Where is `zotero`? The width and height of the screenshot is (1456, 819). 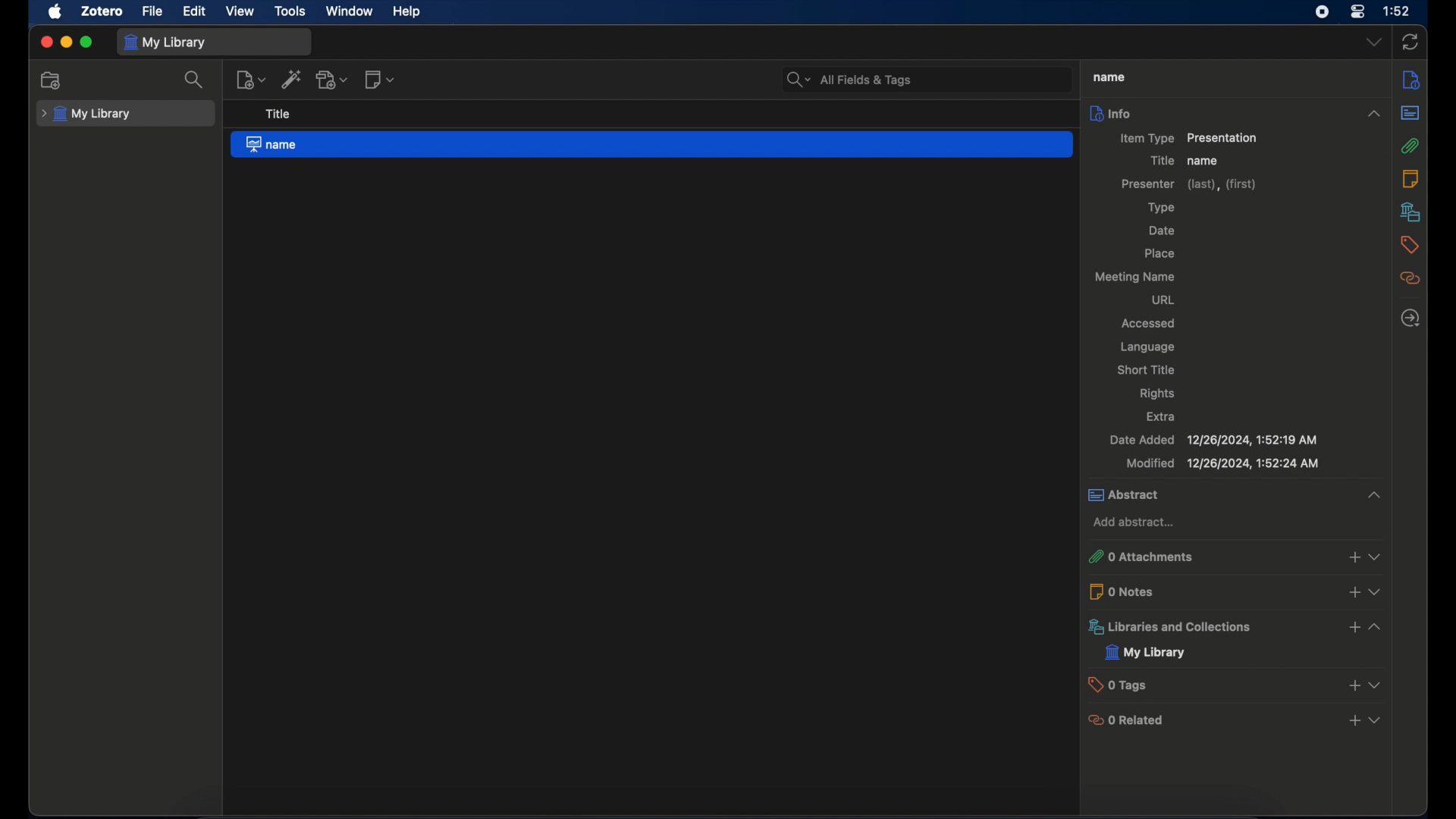 zotero is located at coordinates (103, 11).